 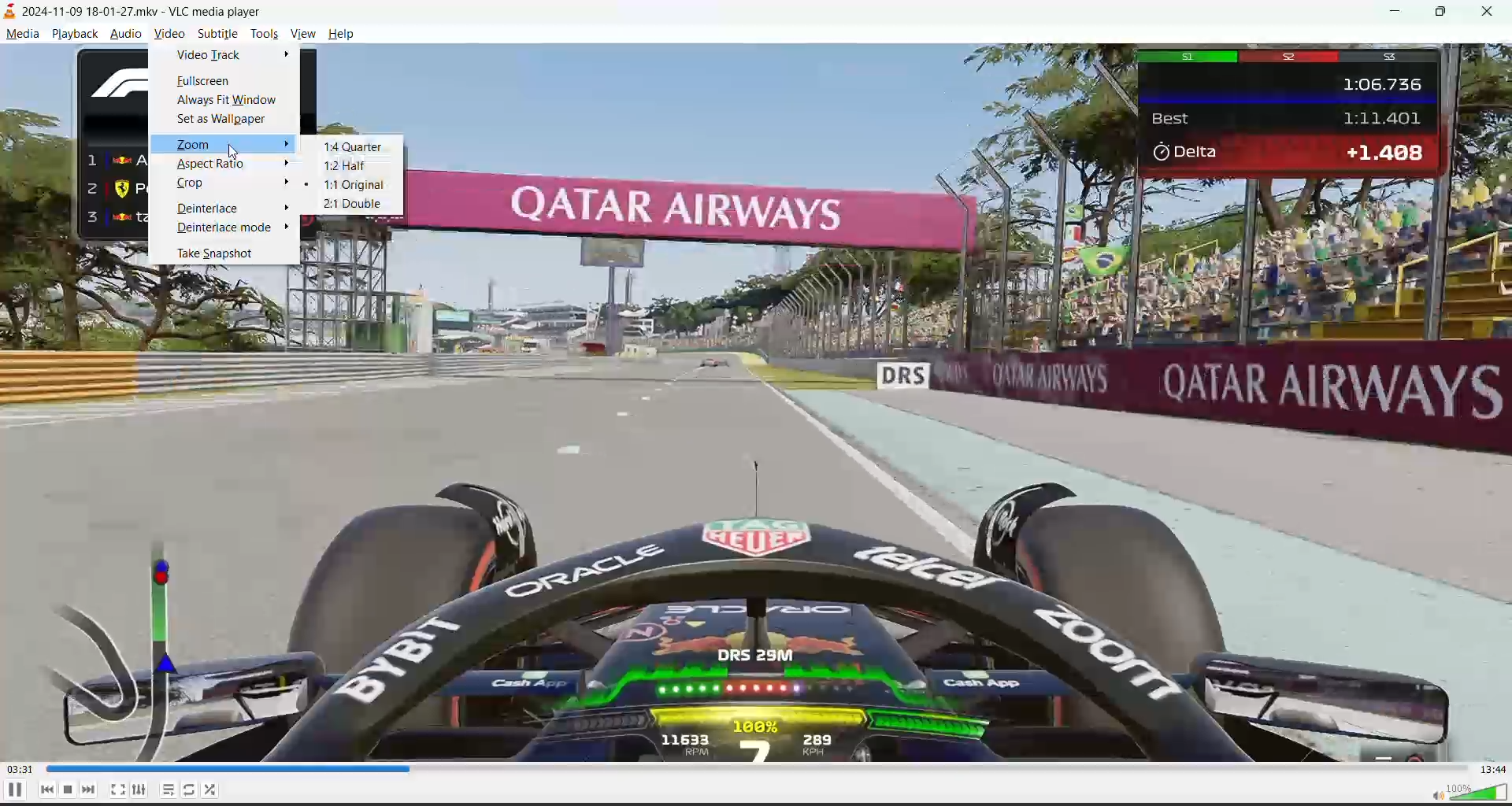 I want to click on zoom, so click(x=198, y=145).